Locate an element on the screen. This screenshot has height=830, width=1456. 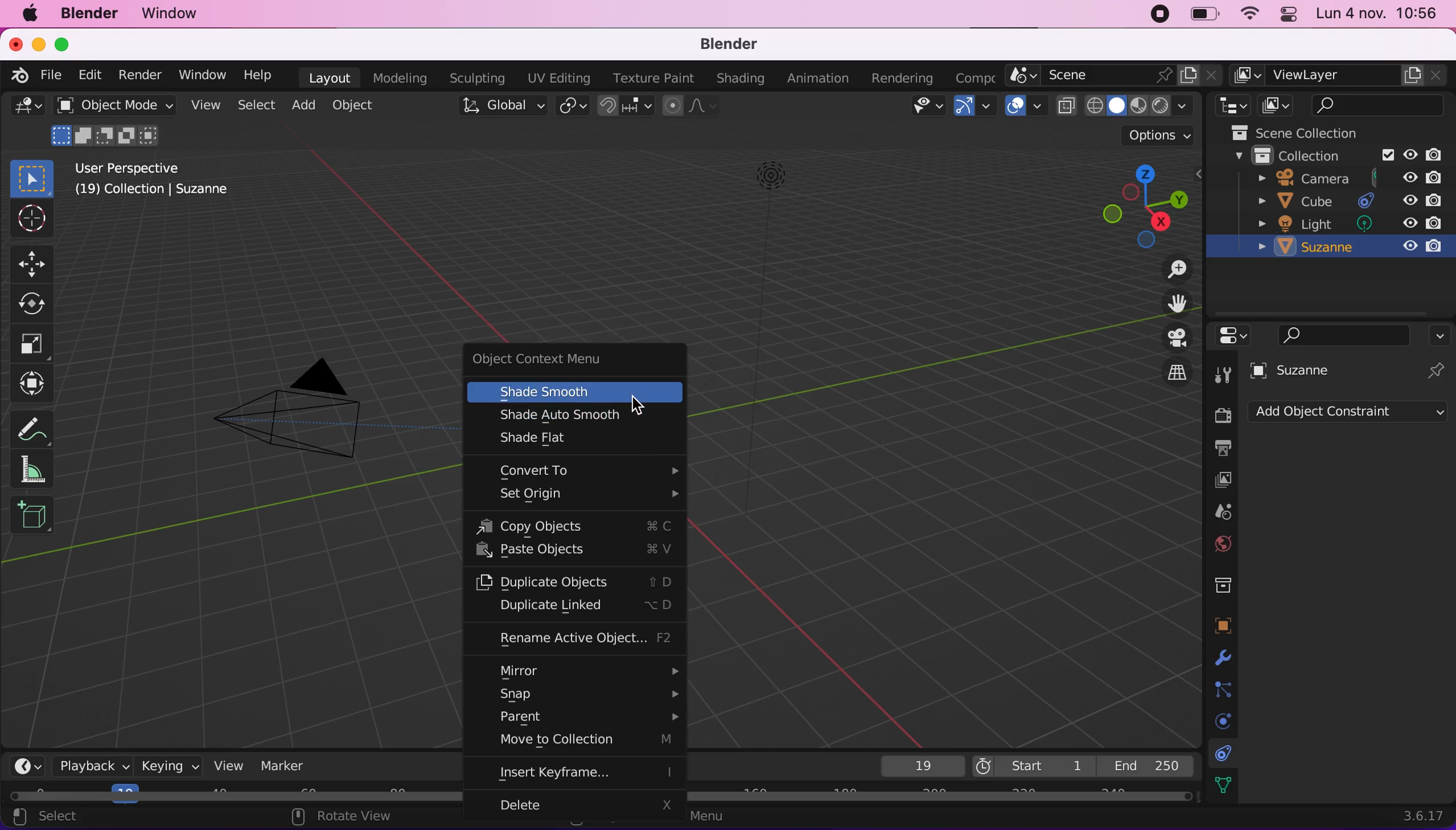
camera is located at coordinates (284, 420).